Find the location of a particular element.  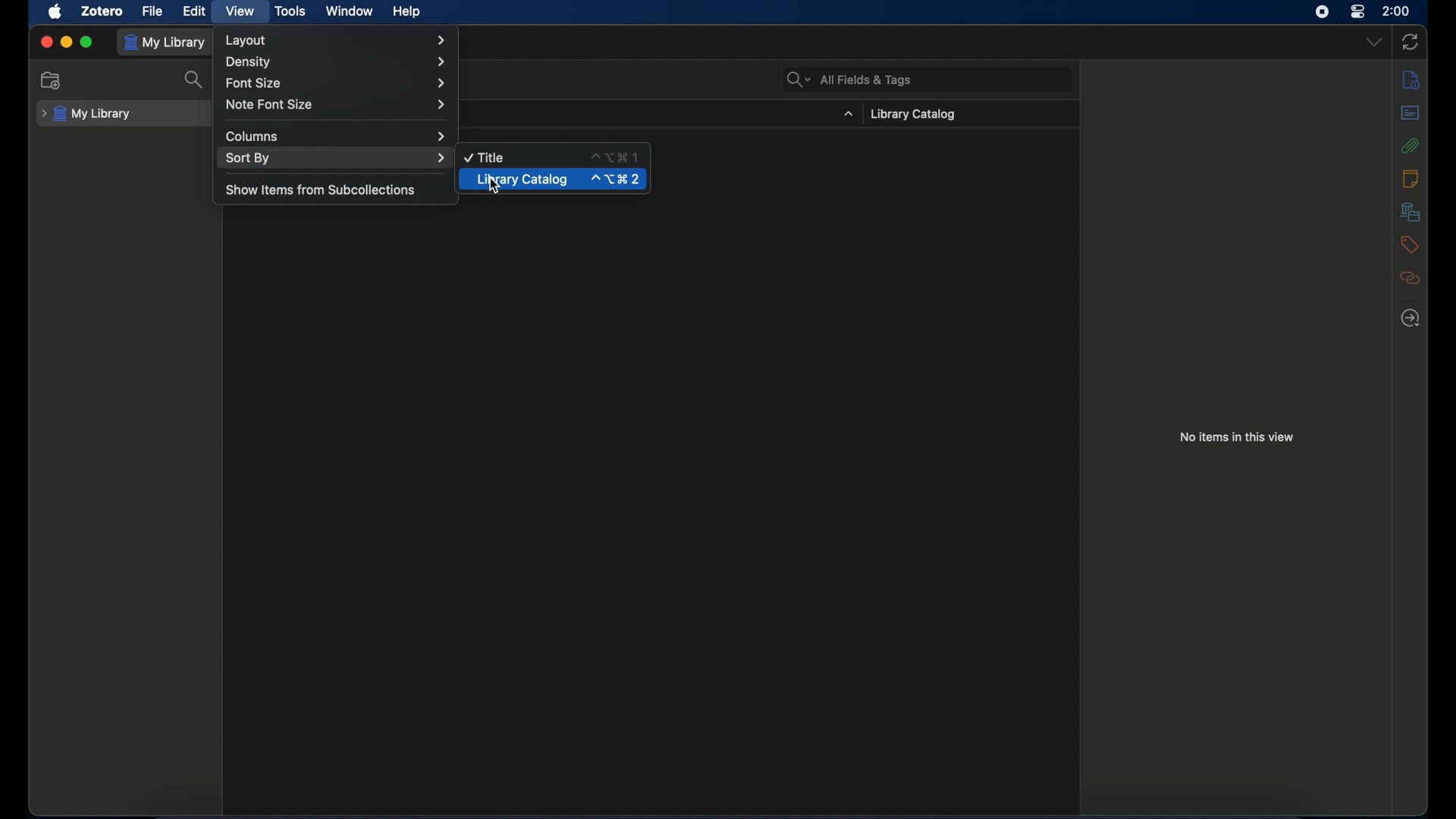

minimize is located at coordinates (65, 41).